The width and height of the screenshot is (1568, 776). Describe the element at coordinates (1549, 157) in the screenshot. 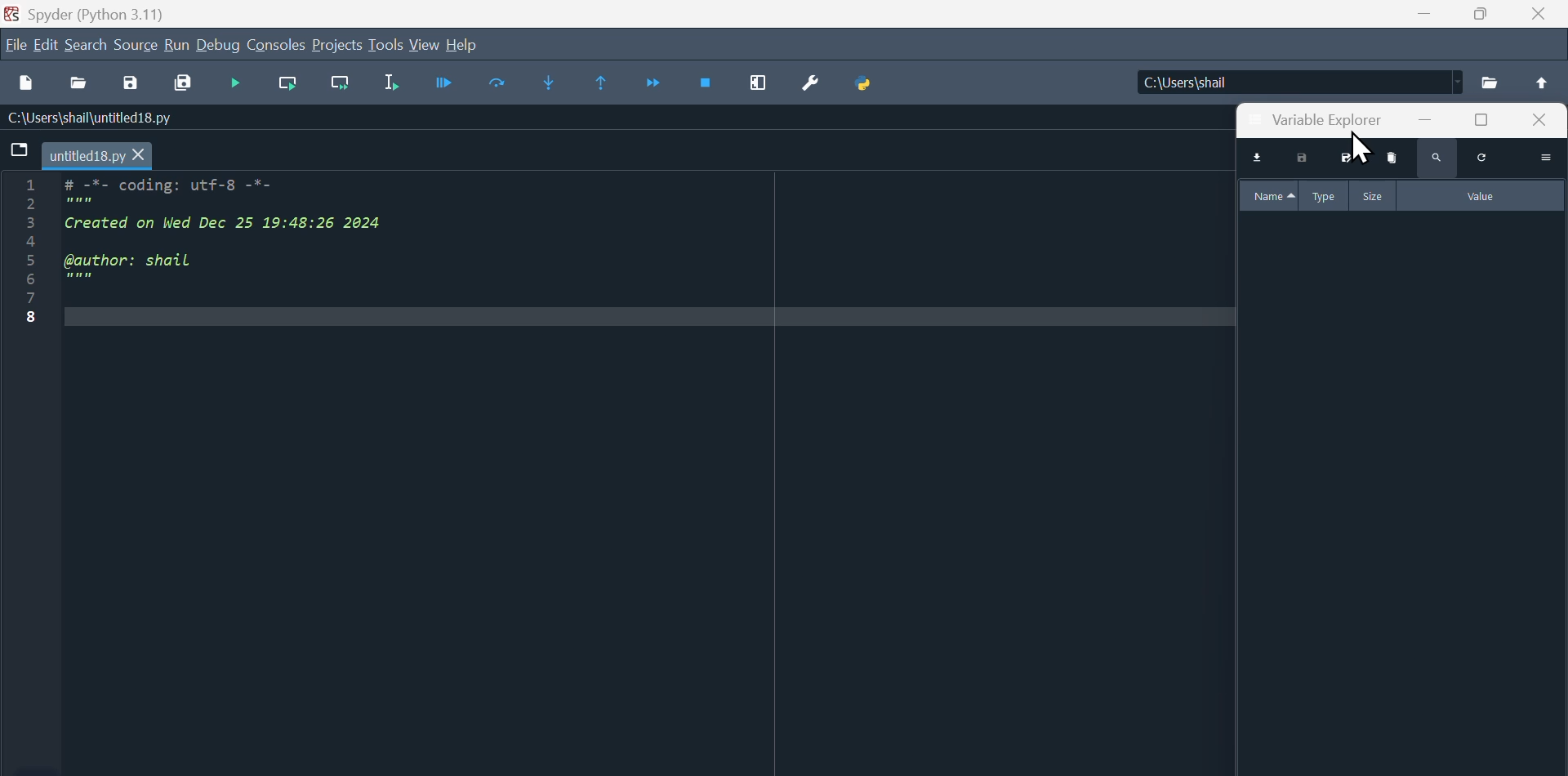

I see `more actions` at that location.